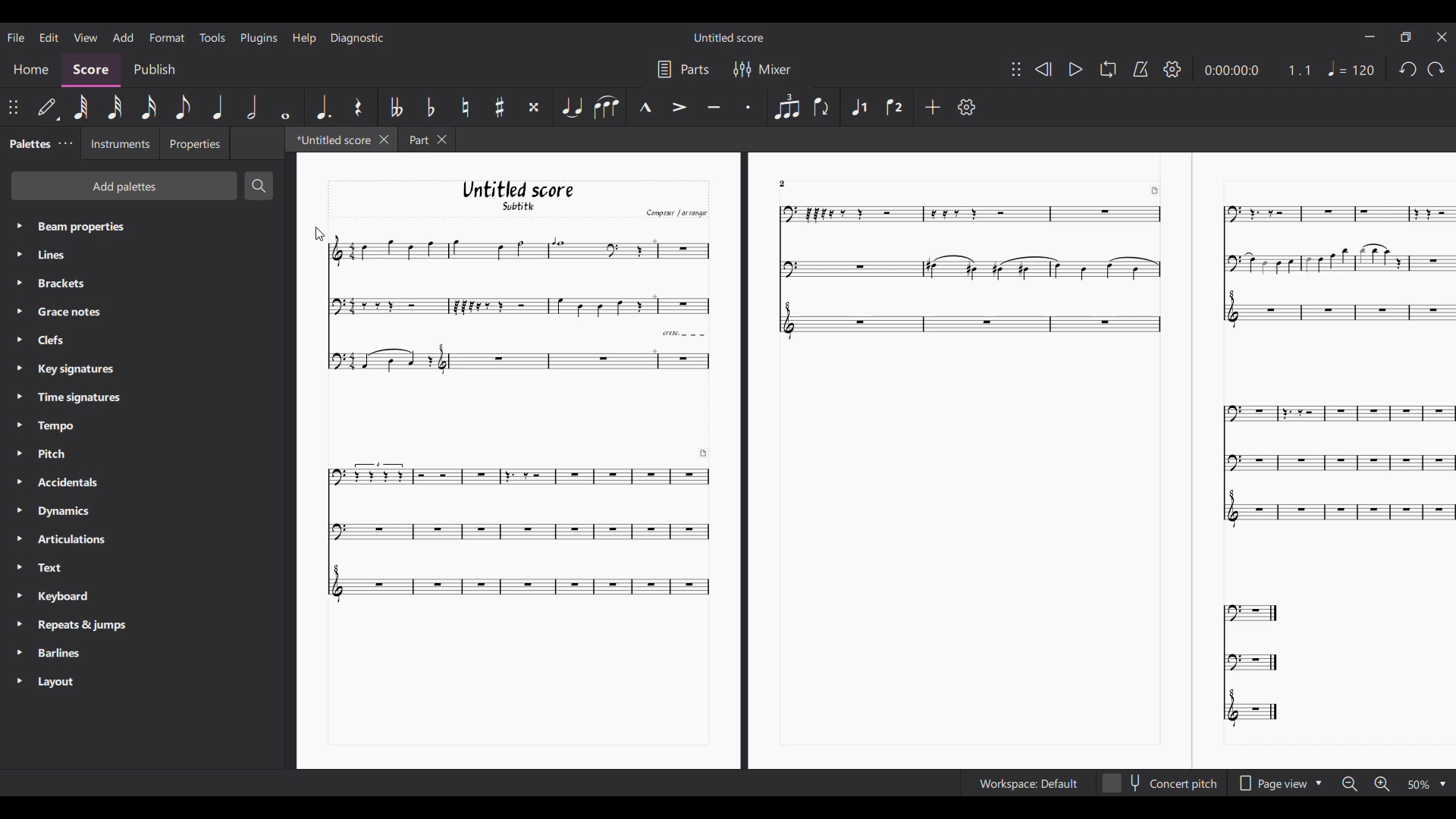  I want to click on , so click(521, 585).